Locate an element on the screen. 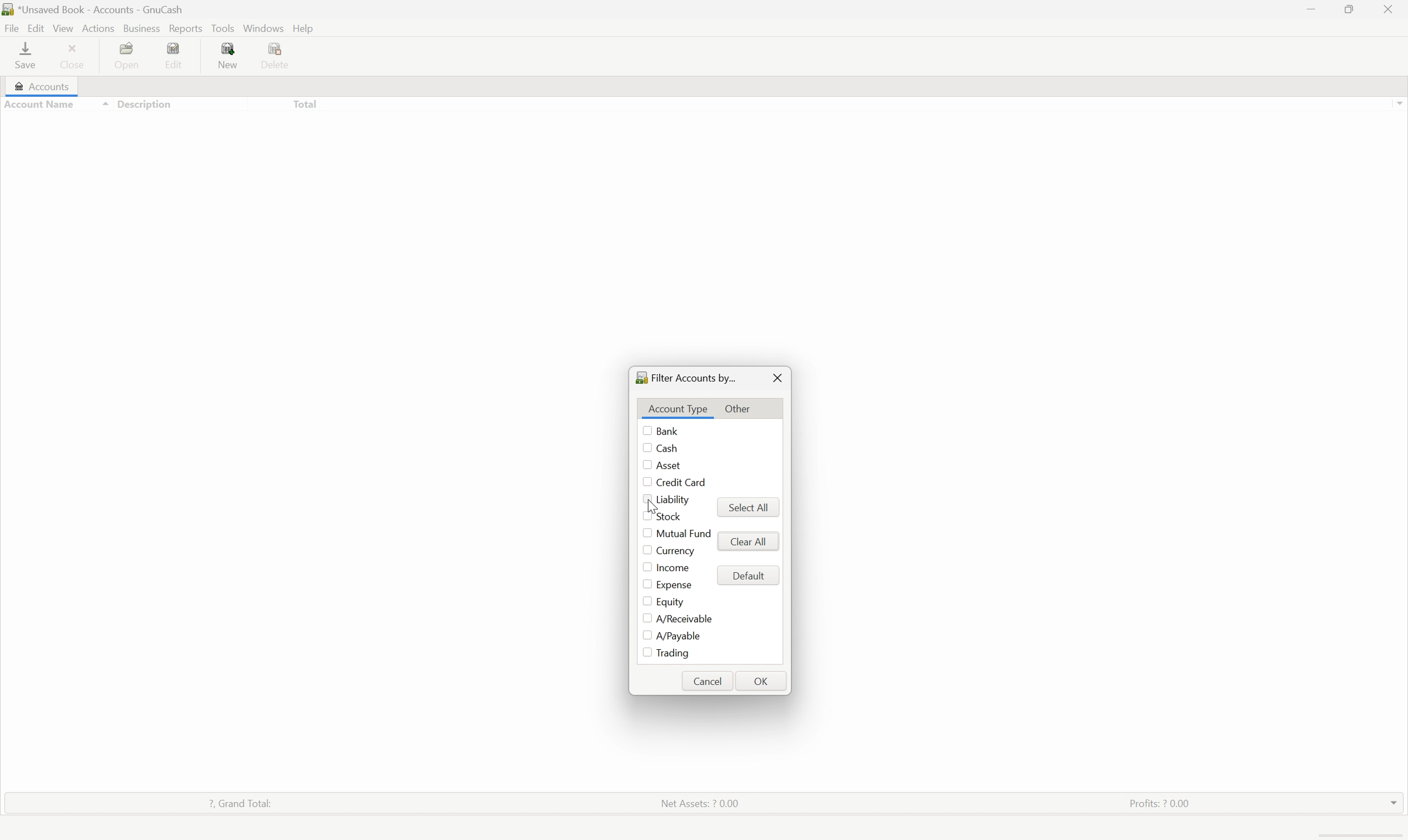  A/Payable is located at coordinates (679, 637).